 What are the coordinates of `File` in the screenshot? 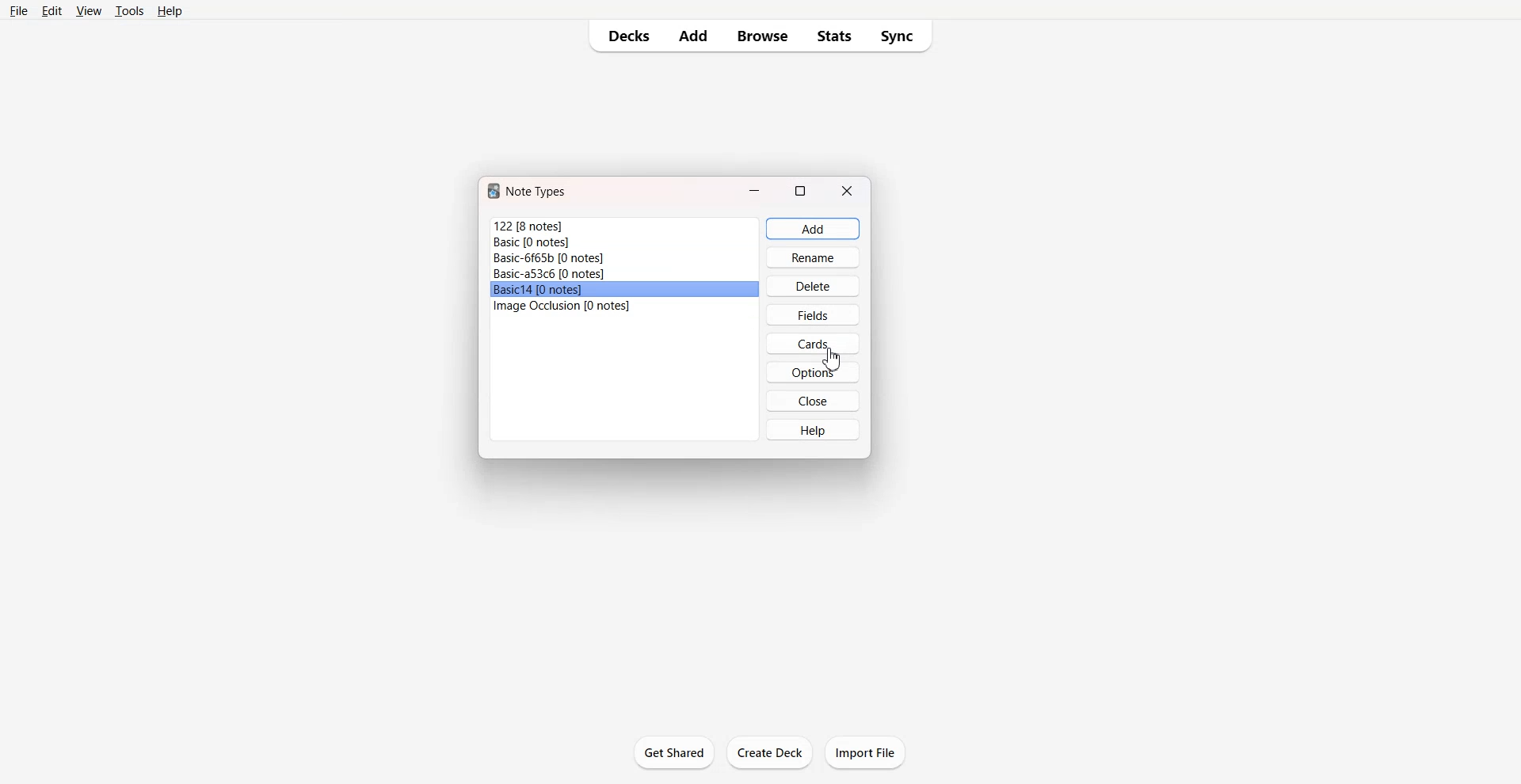 It's located at (625, 258).